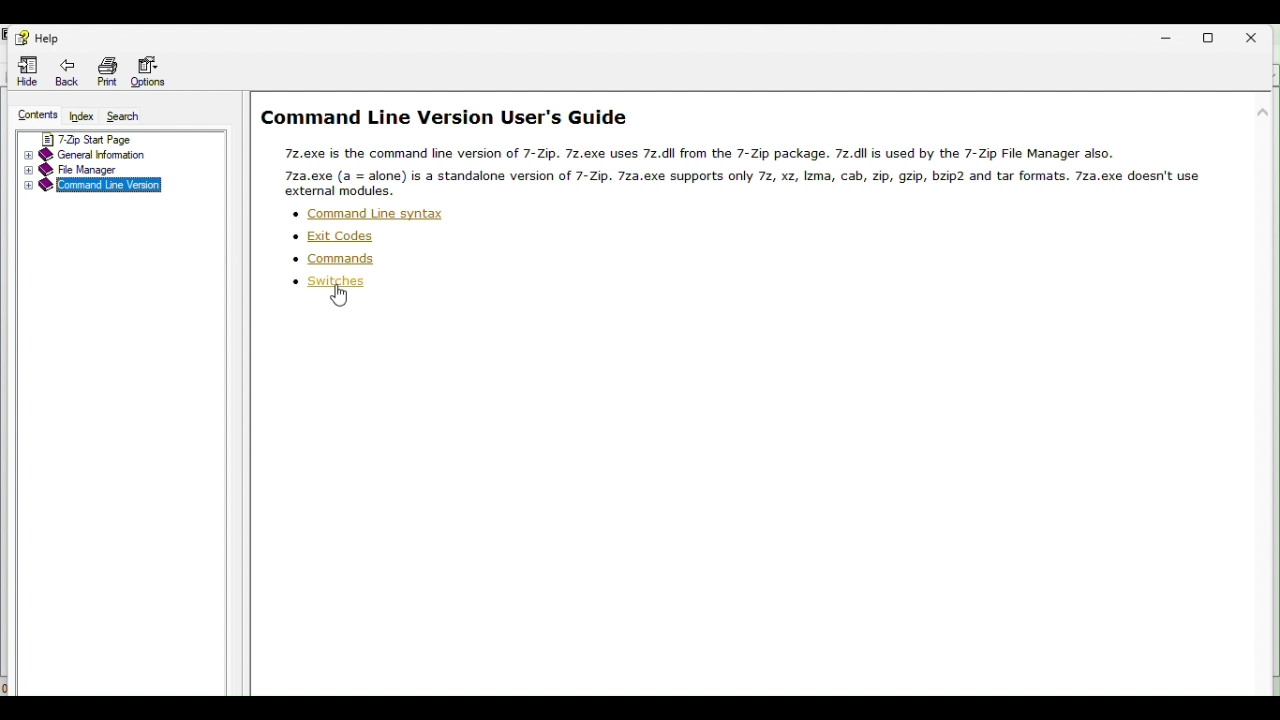  What do you see at coordinates (26, 189) in the screenshot?
I see `expand` at bounding box center [26, 189].